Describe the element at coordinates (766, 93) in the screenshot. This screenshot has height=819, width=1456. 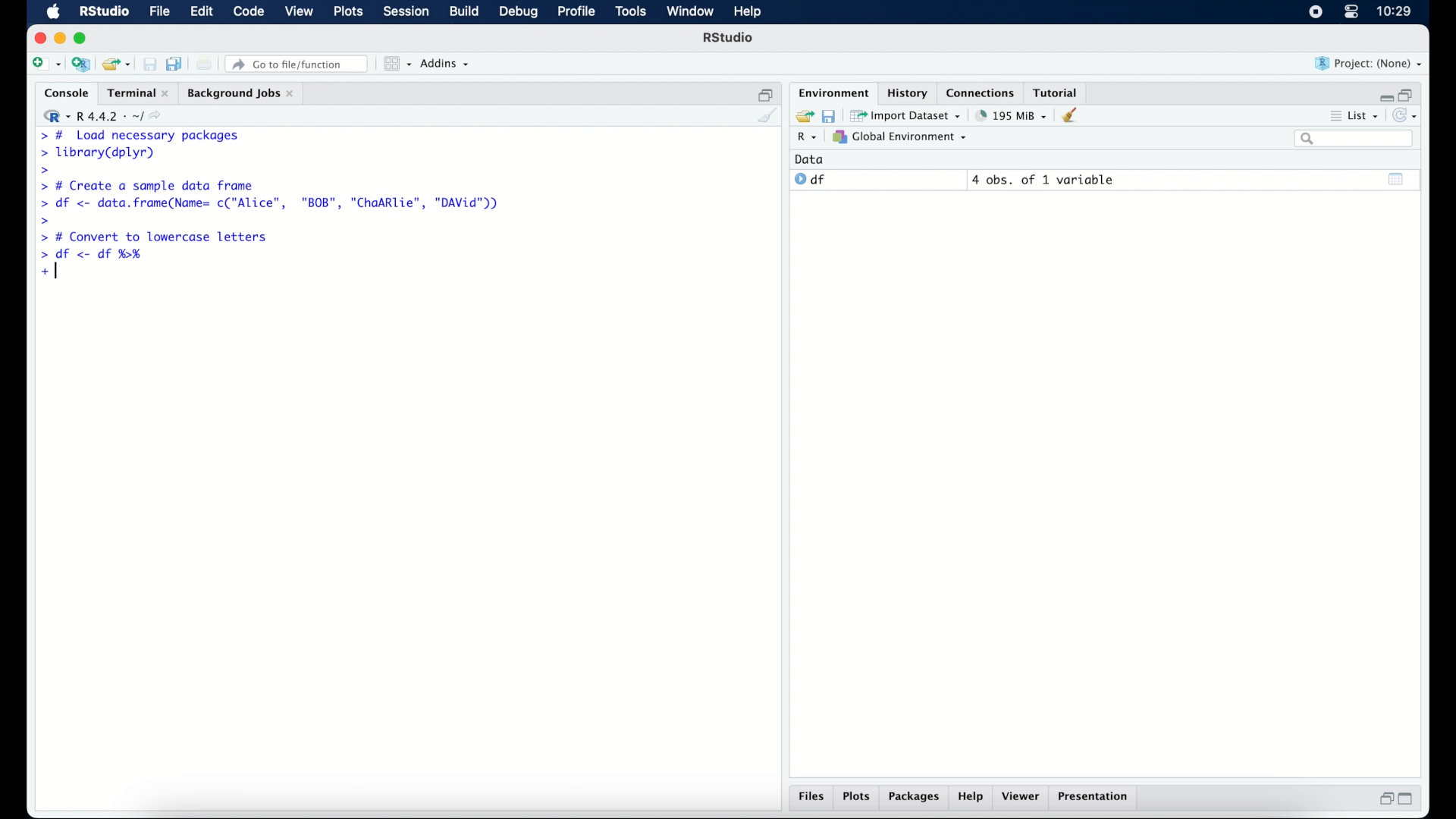
I see `restore down` at that location.